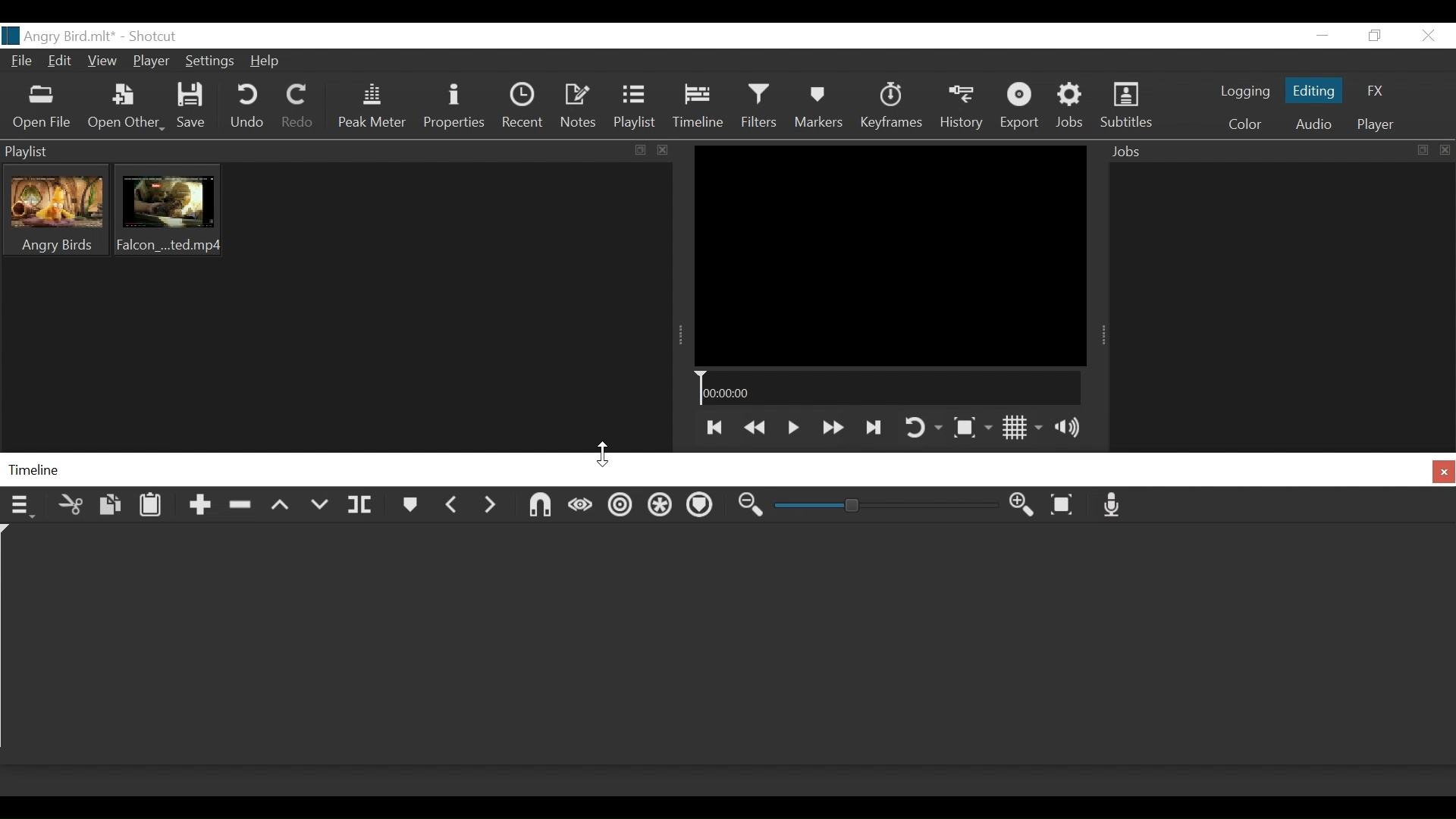  What do you see at coordinates (972, 430) in the screenshot?
I see `Toggle Zoom` at bounding box center [972, 430].